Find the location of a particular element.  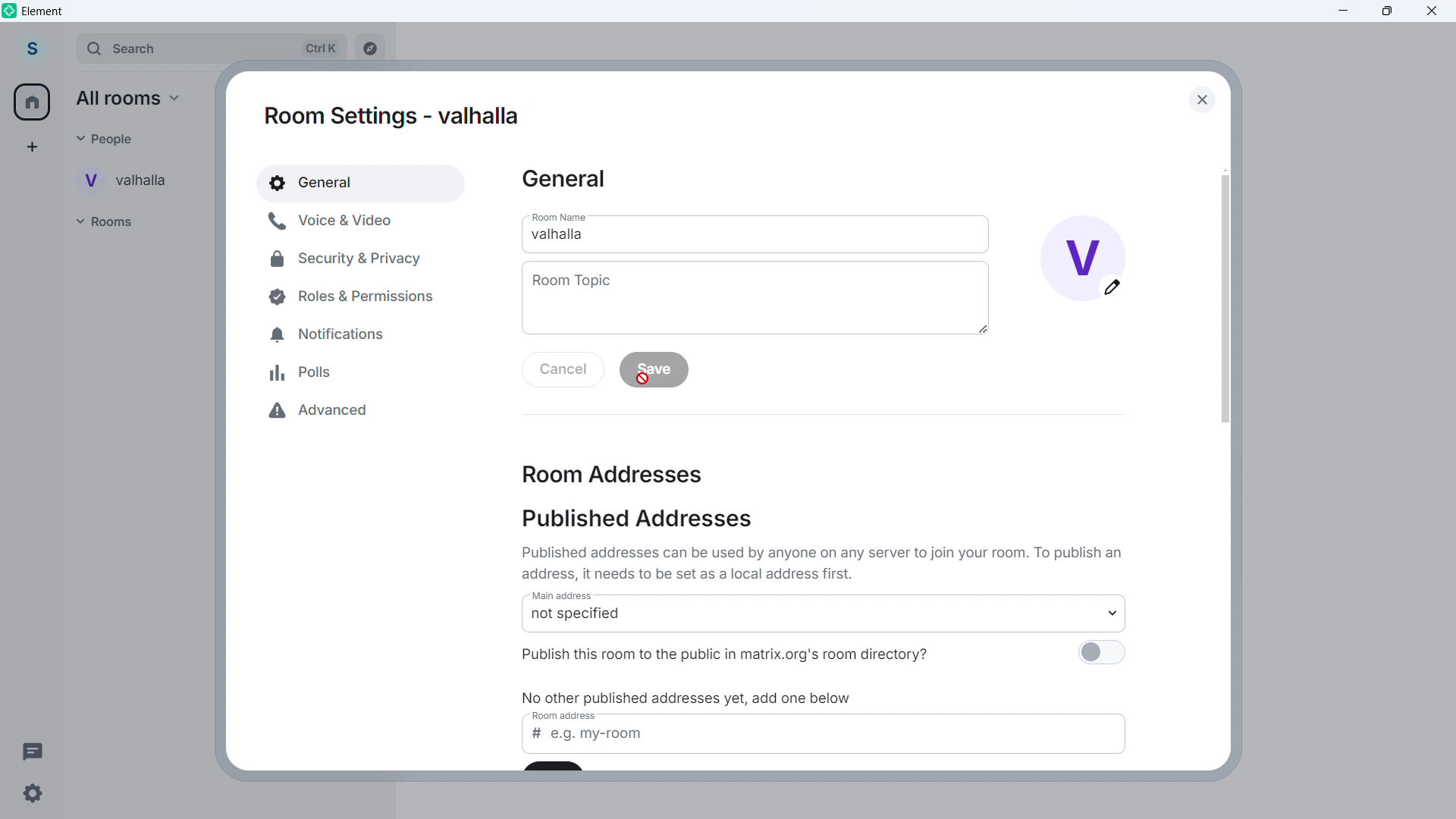

Room address  is located at coordinates (613, 473).